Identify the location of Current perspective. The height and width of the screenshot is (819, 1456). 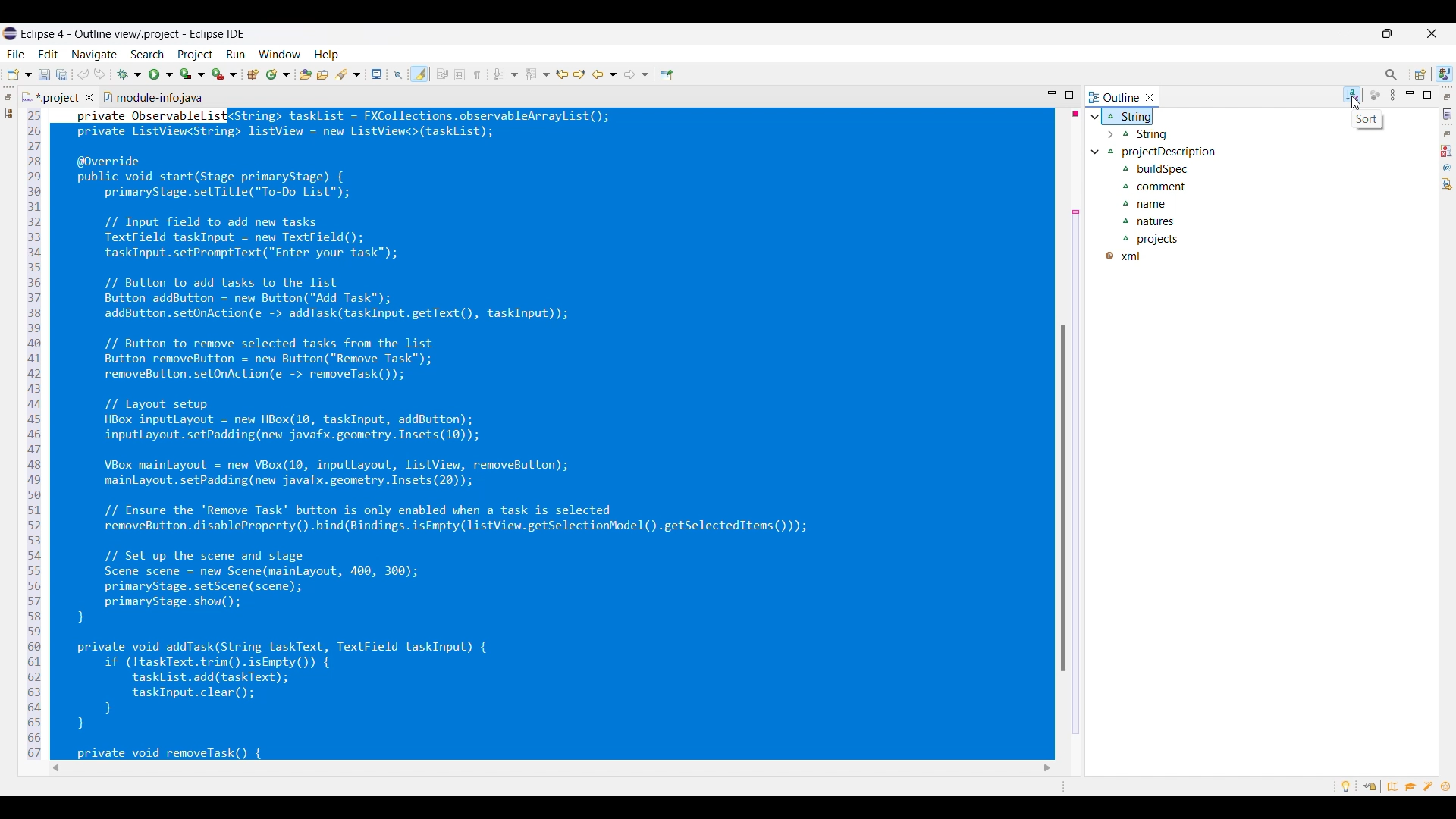
(1445, 74).